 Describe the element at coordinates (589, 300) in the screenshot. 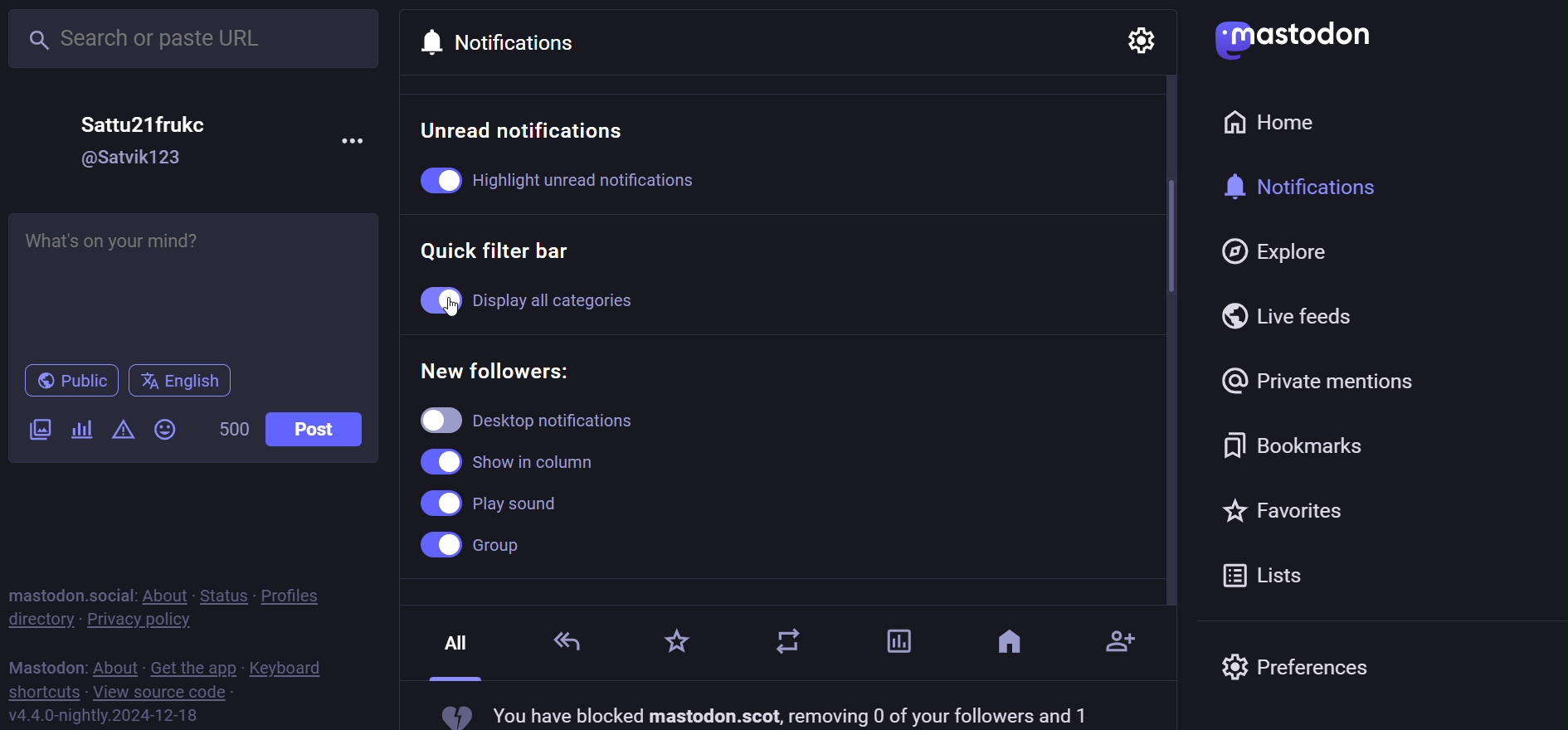

I see `display all categories` at that location.